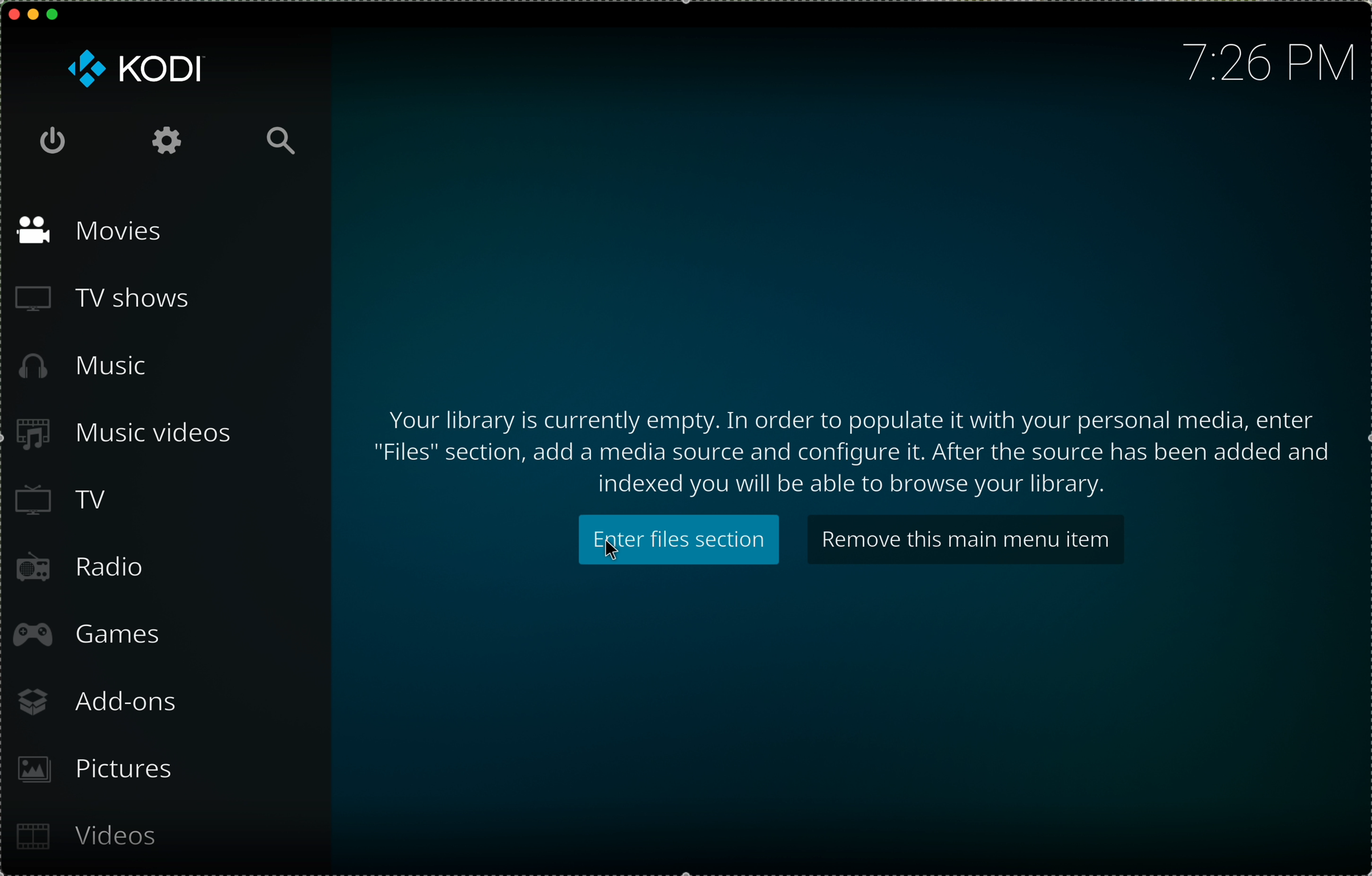  What do you see at coordinates (97, 703) in the screenshot?
I see `add-ons option` at bounding box center [97, 703].